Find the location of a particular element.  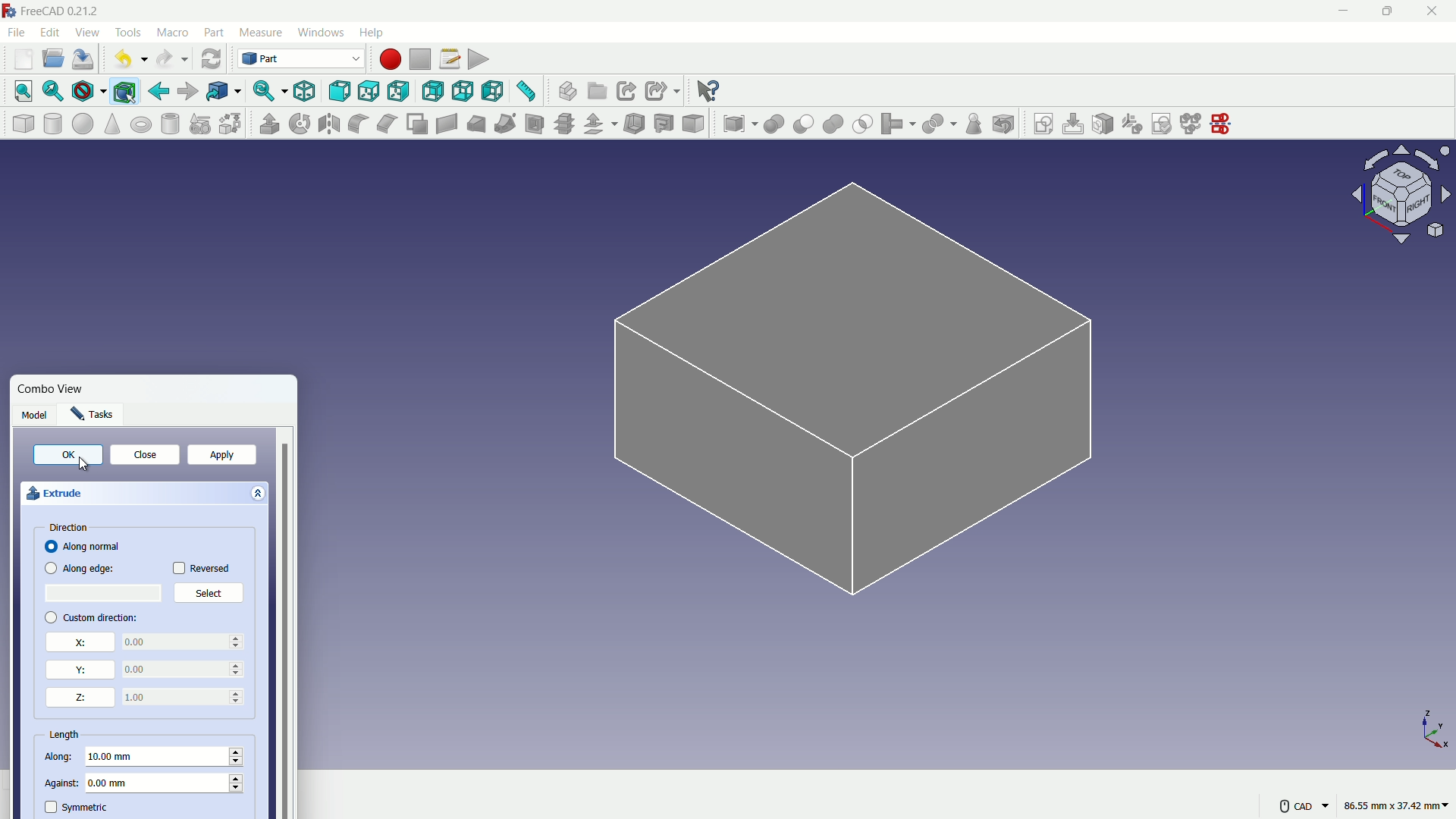

86.55 mm, 37.42 mm is located at coordinates (1397, 805).